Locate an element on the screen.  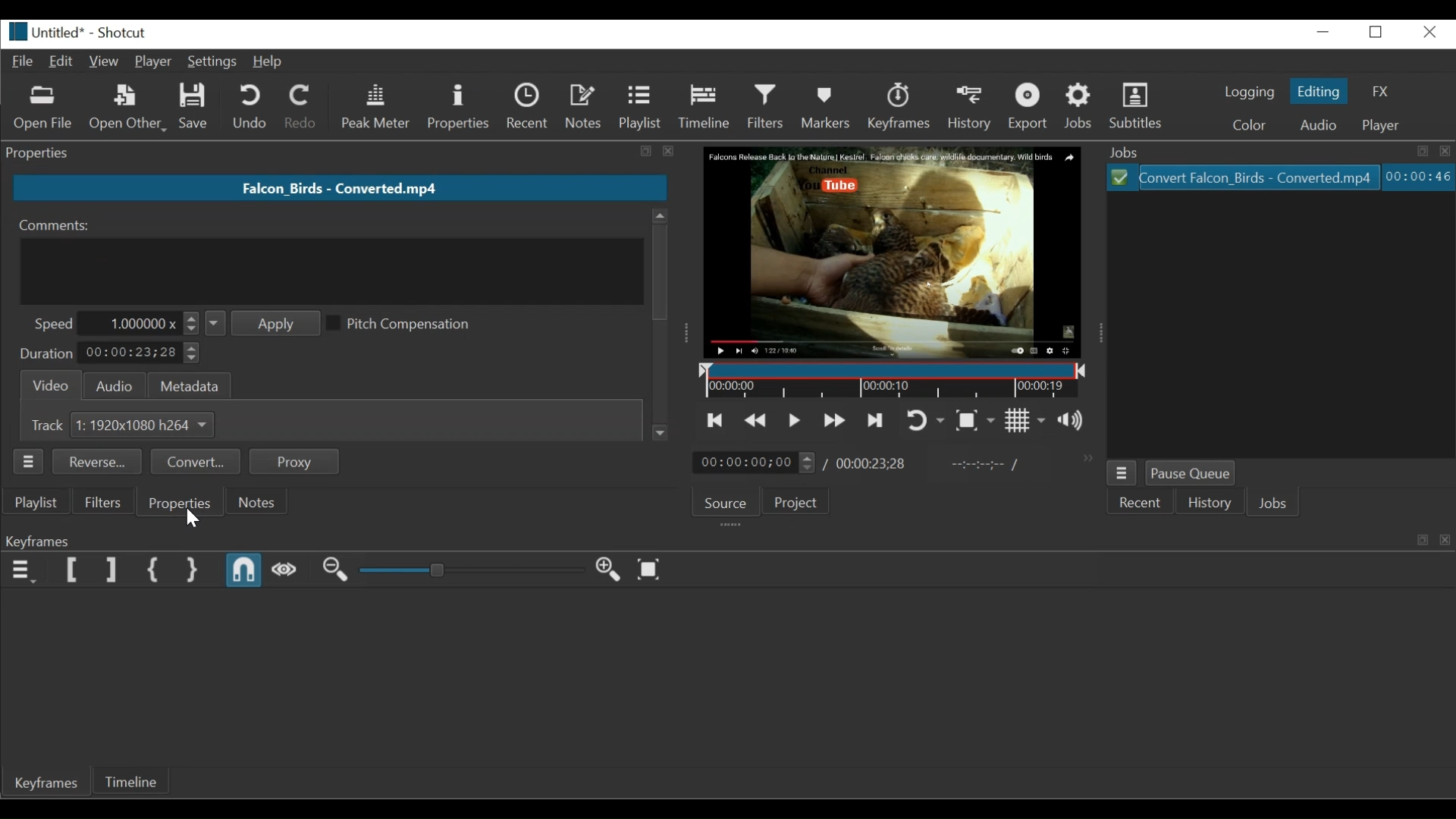
Media viewer is located at coordinates (890, 252).